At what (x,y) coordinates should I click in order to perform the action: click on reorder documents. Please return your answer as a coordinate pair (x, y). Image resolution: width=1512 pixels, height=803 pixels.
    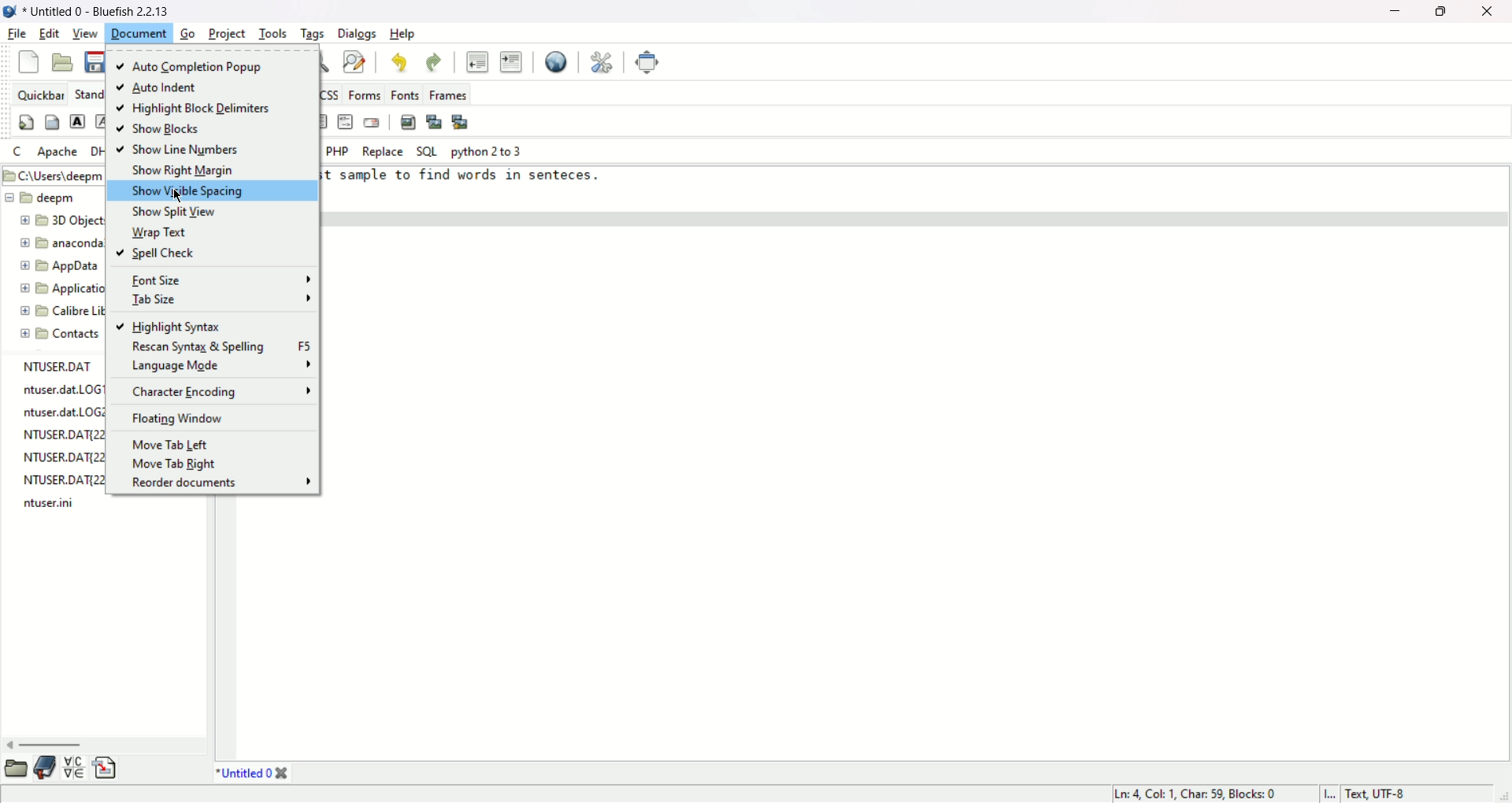
    Looking at the image, I should click on (215, 483).